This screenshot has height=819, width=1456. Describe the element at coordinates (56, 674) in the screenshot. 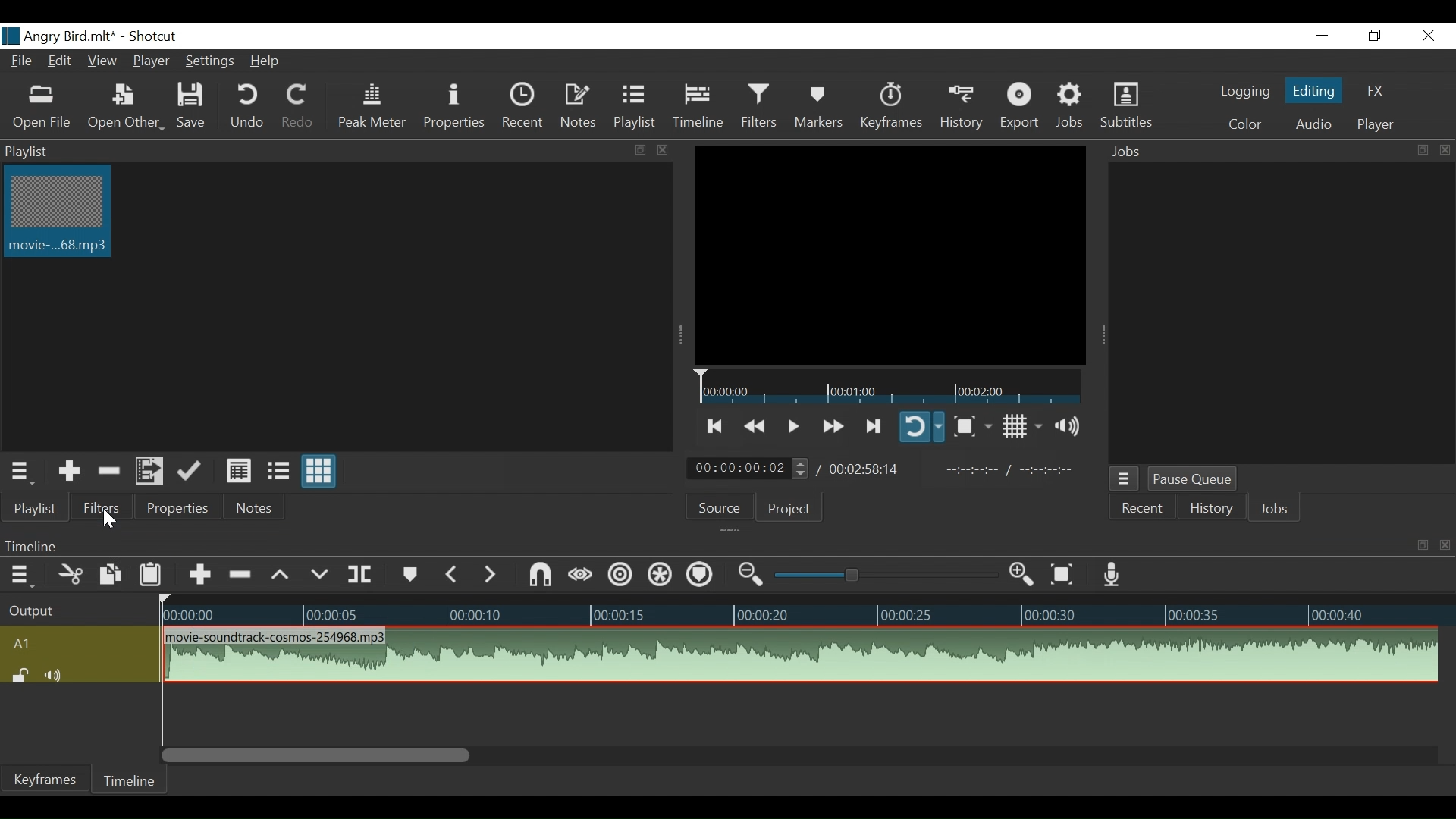

I see `Mute` at that location.